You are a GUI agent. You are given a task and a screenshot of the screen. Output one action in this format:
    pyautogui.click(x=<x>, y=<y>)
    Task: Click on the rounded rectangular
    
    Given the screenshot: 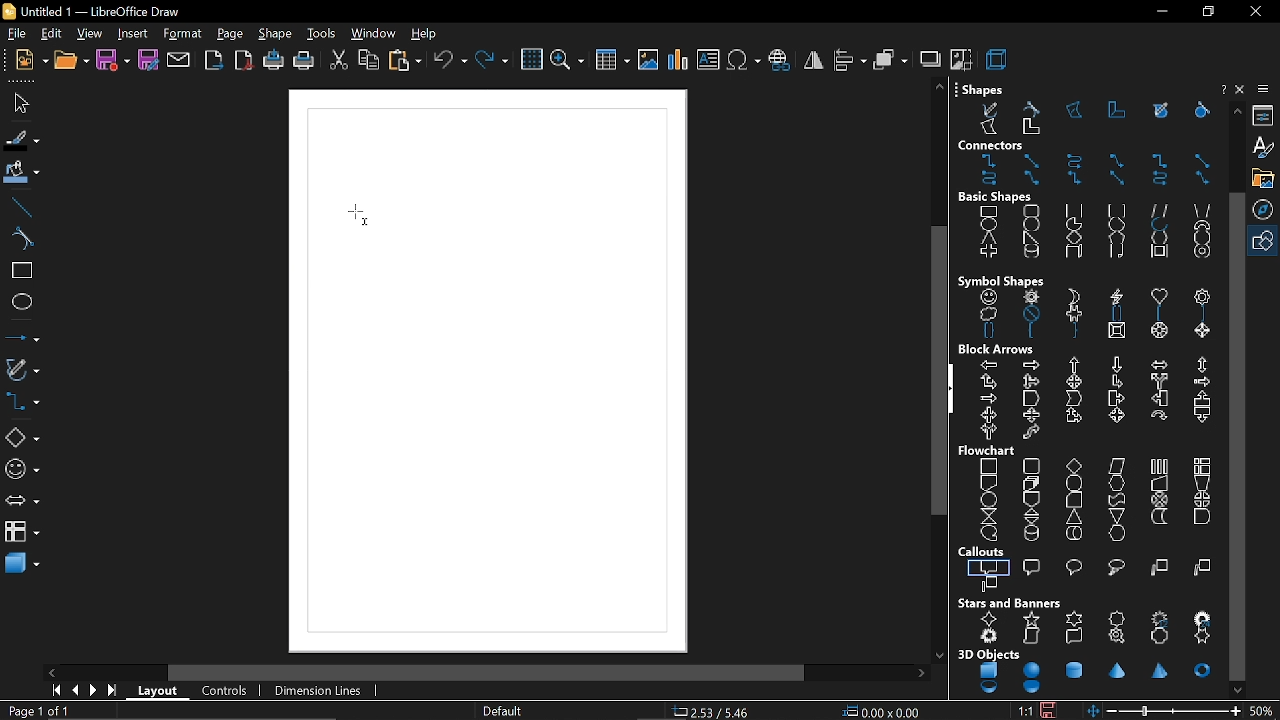 What is the action you would take?
    pyautogui.click(x=1033, y=566)
    